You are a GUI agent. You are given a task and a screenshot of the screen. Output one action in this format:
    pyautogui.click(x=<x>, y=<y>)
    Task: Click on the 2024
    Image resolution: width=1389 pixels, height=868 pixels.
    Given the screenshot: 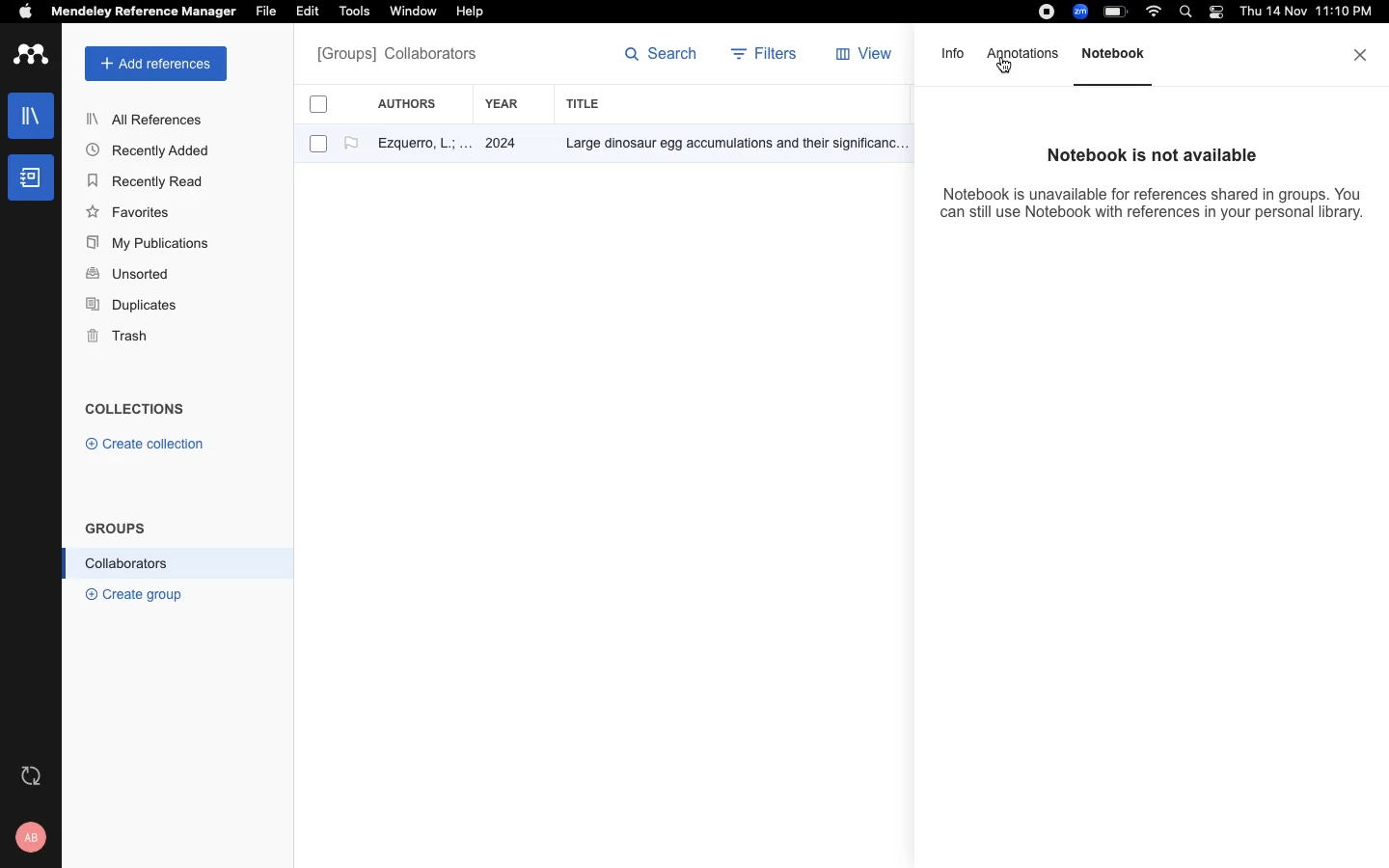 What is the action you would take?
    pyautogui.click(x=504, y=145)
    